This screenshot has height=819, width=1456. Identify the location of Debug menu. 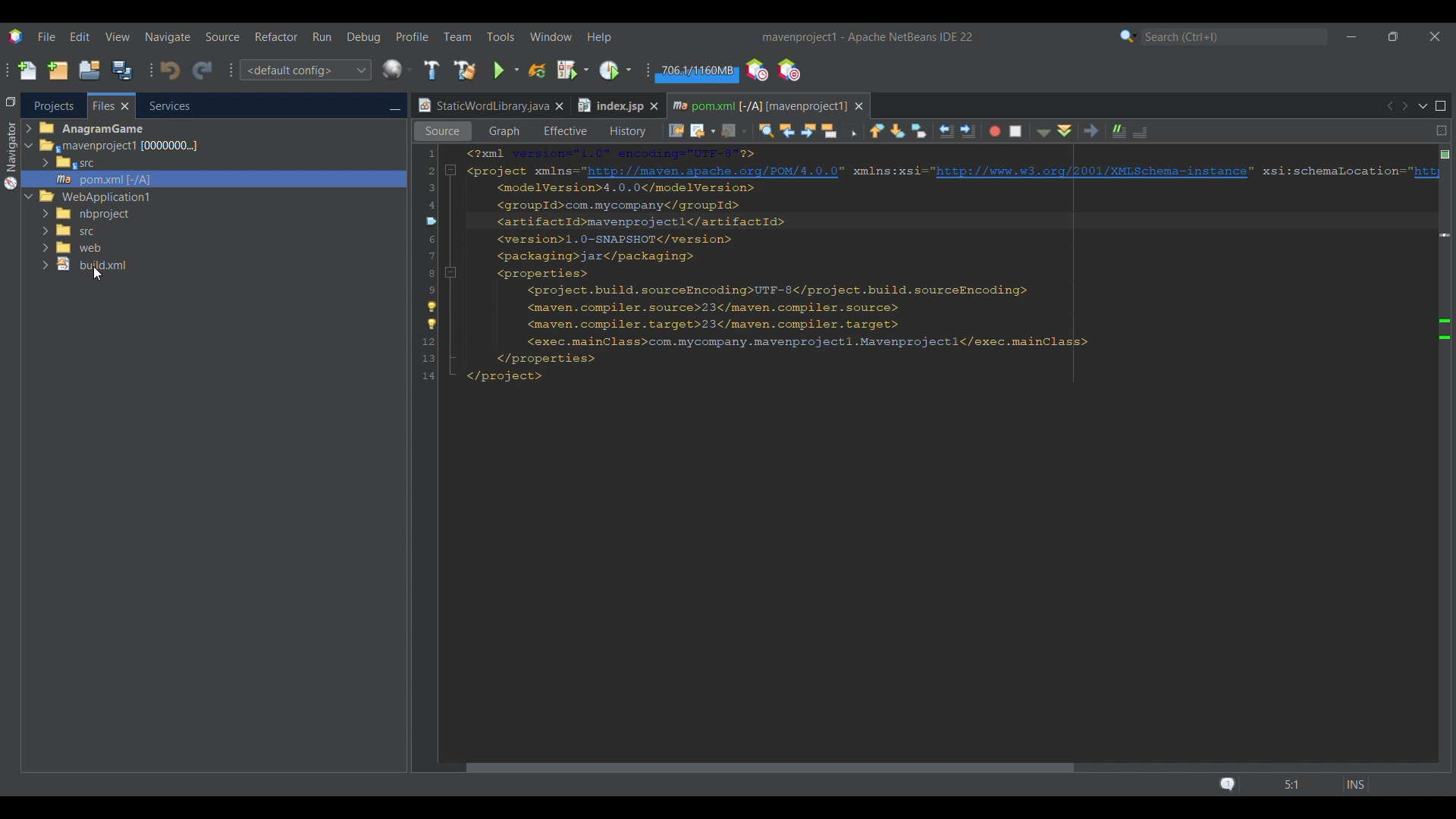
(364, 37).